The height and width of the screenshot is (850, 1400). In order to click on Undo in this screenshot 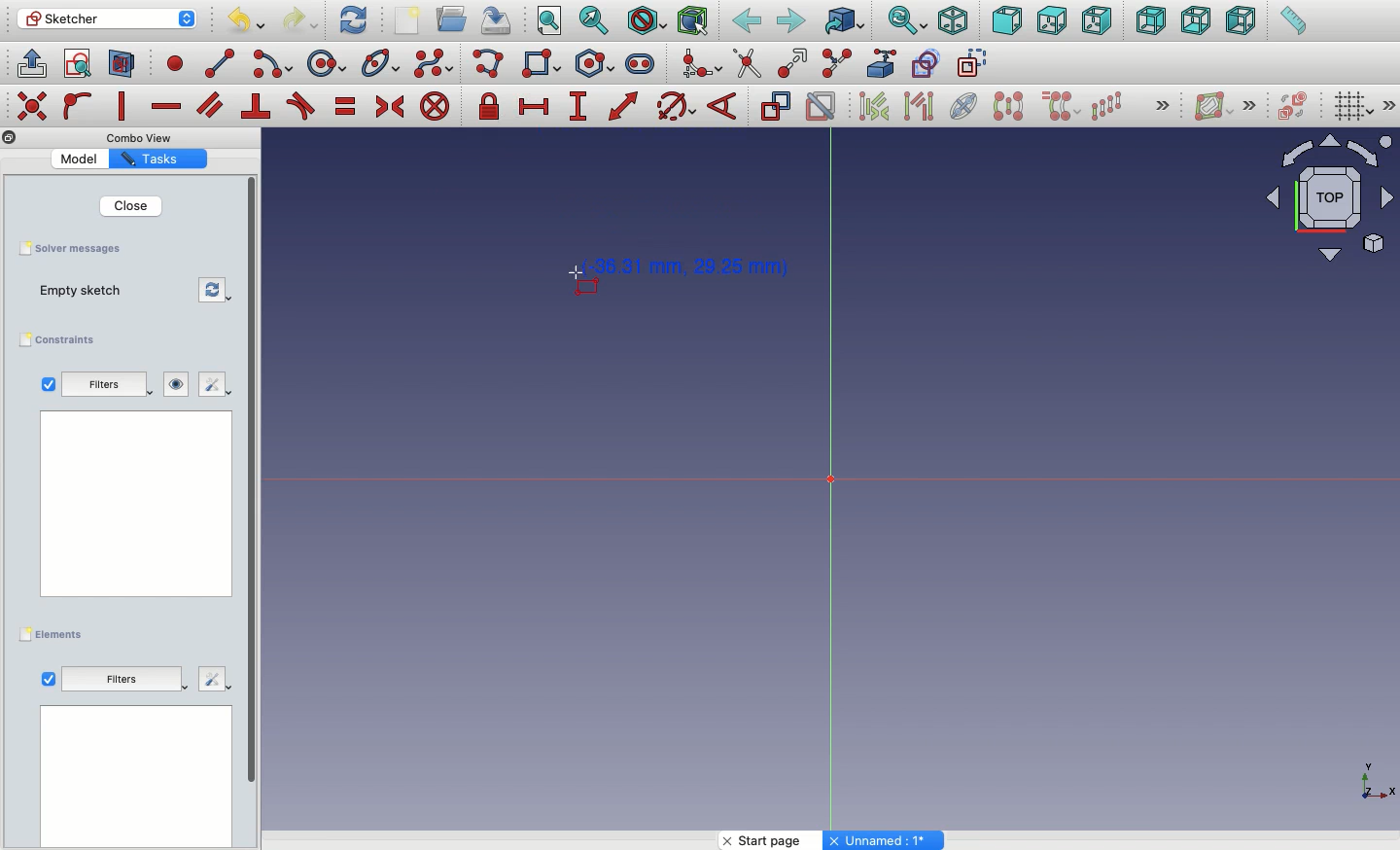, I will do `click(249, 23)`.